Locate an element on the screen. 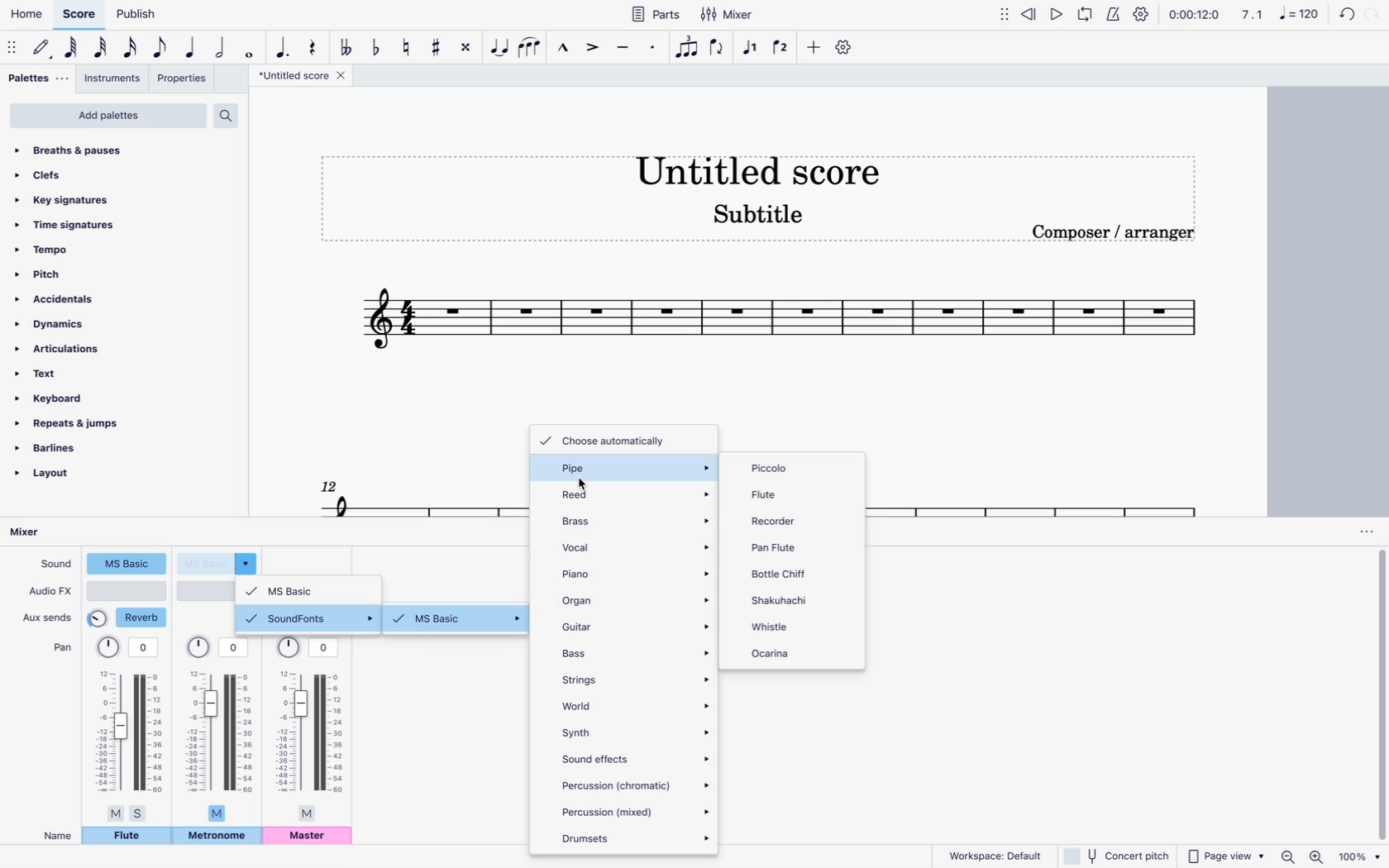 The width and height of the screenshot is (1389, 868). scale is located at coordinates (1277, 17).